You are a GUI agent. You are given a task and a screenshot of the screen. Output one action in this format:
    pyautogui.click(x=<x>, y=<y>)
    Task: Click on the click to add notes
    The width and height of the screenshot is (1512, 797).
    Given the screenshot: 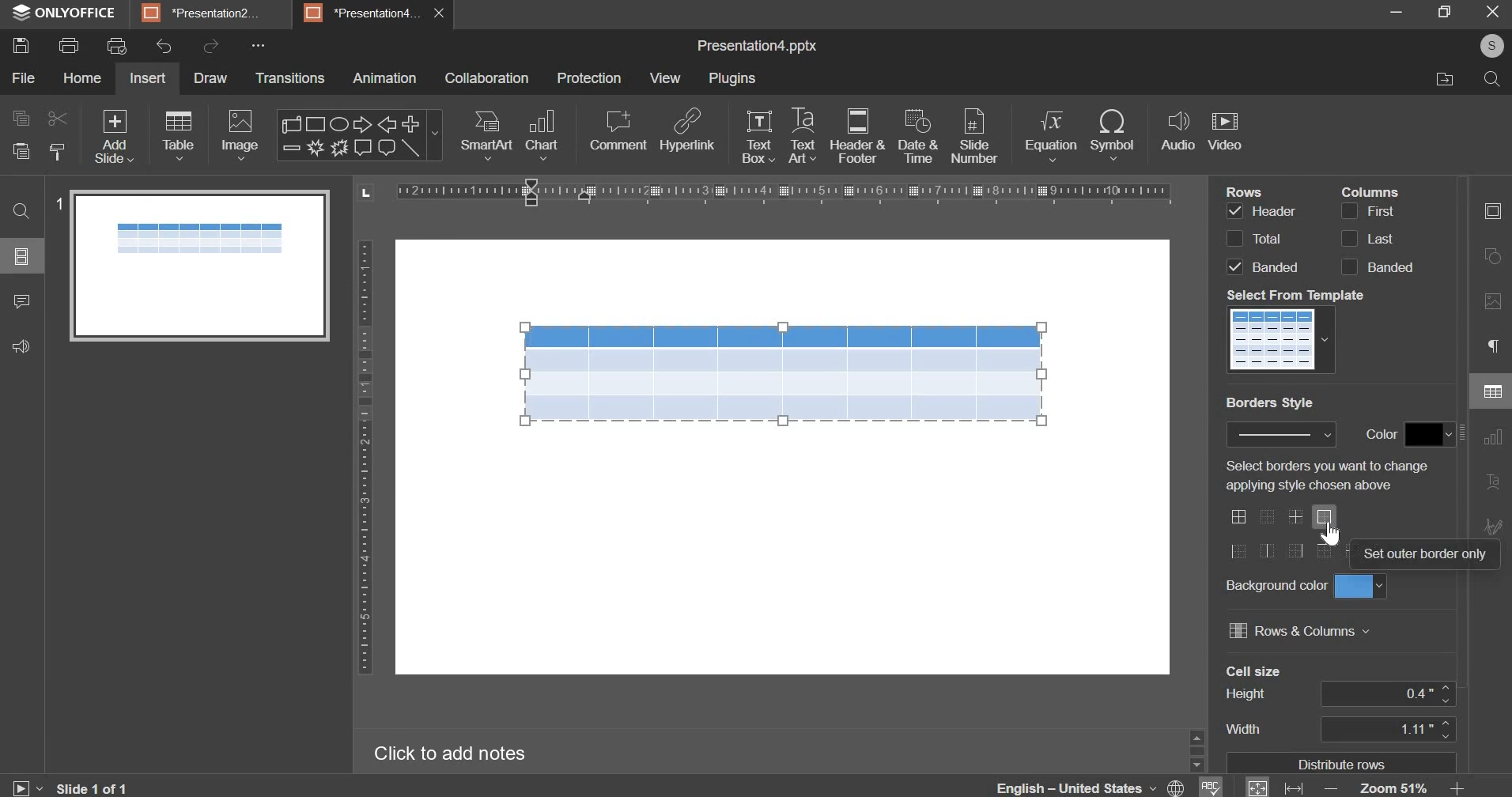 What is the action you would take?
    pyautogui.click(x=451, y=751)
    